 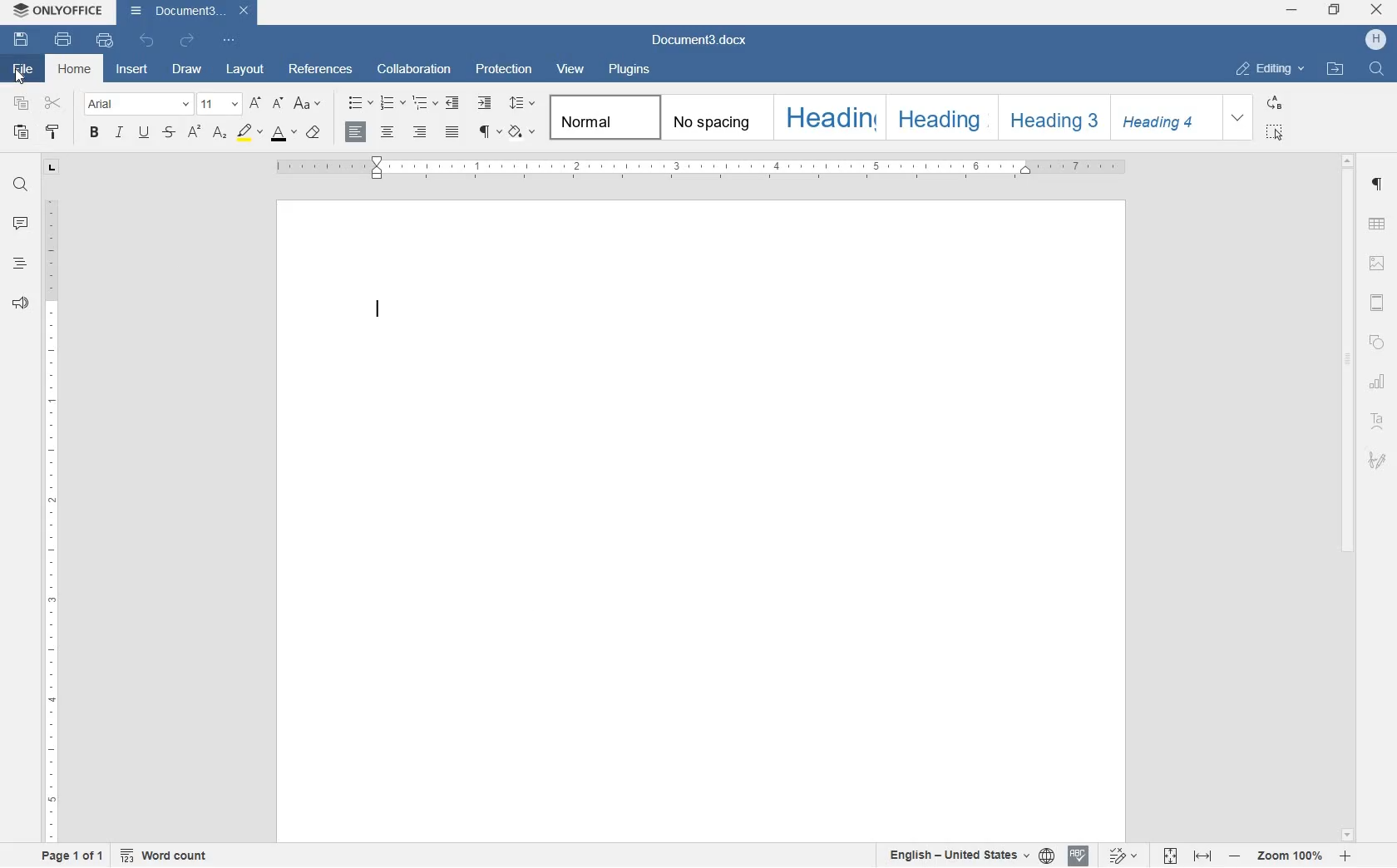 I want to click on paste, so click(x=22, y=132).